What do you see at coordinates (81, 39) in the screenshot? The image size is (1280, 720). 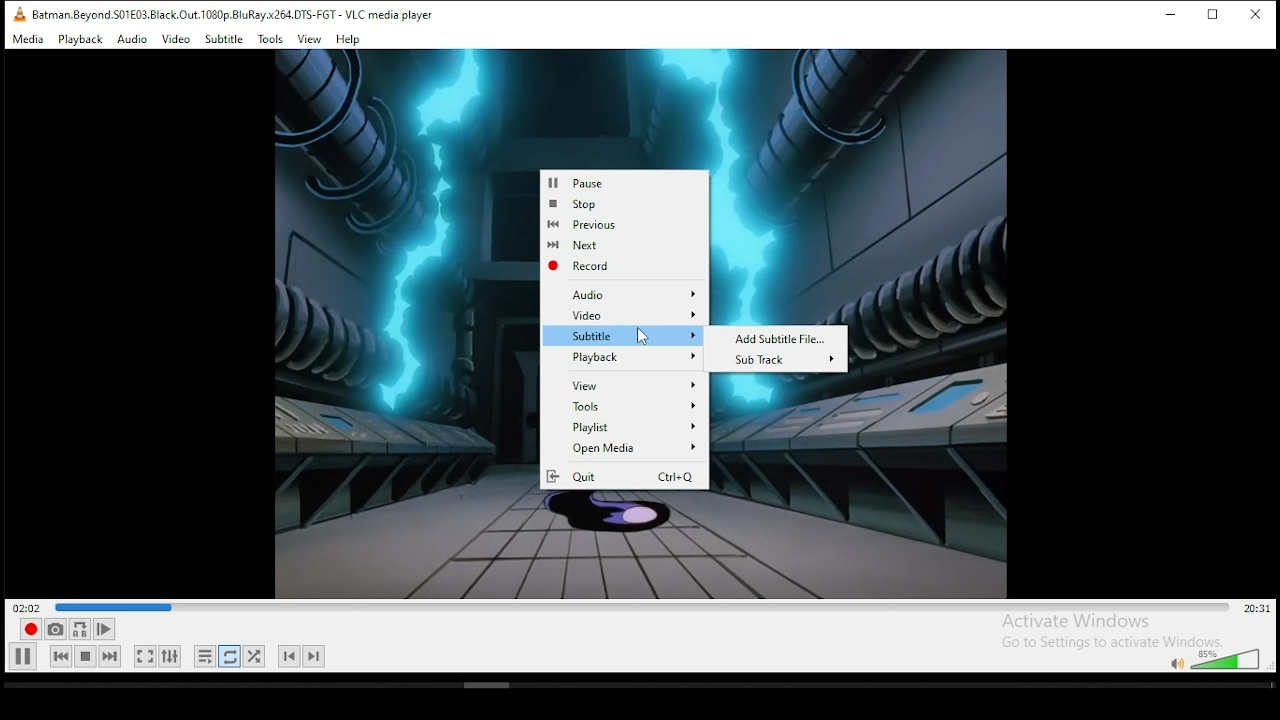 I see `playback` at bounding box center [81, 39].